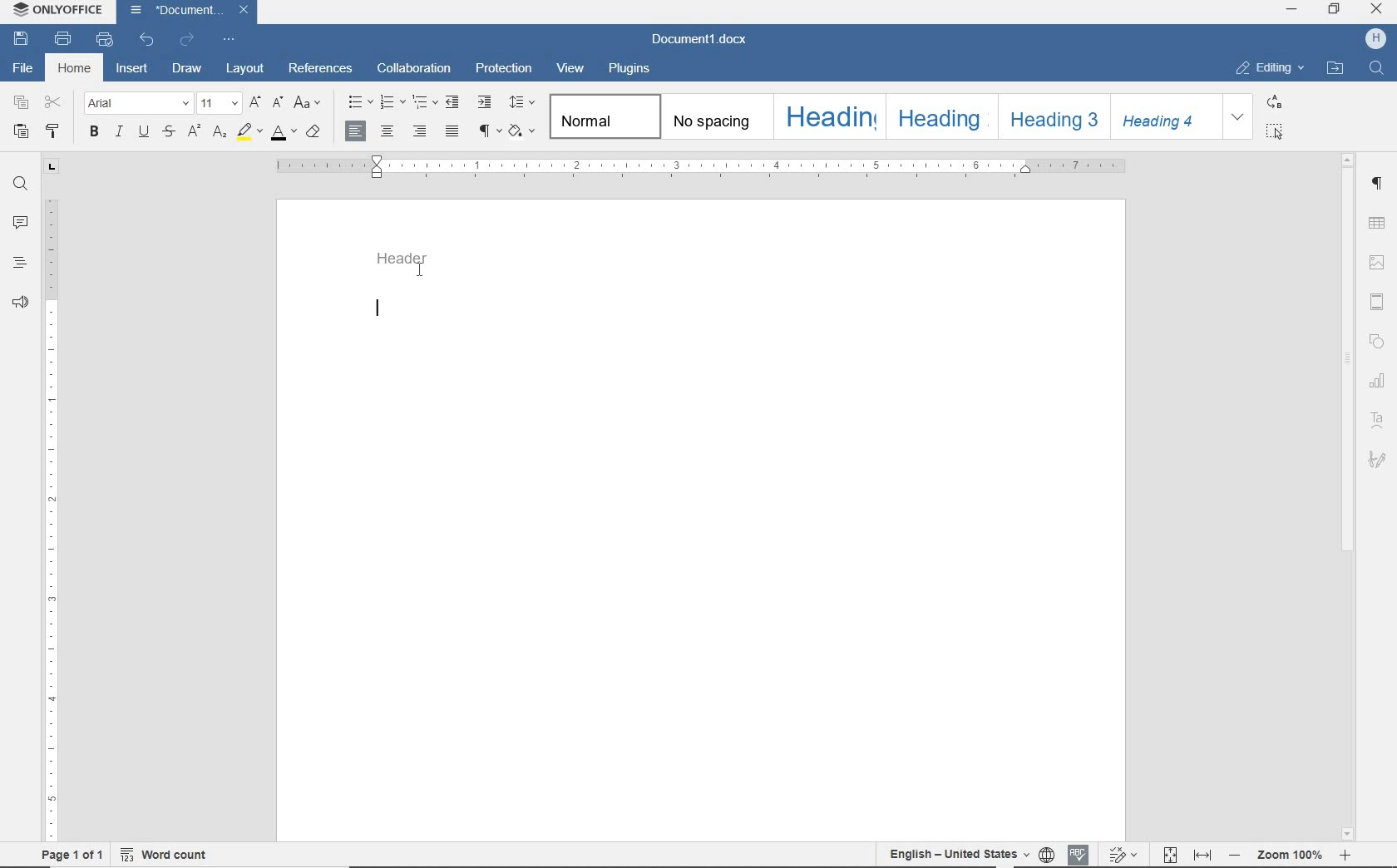  What do you see at coordinates (230, 39) in the screenshot?
I see `customize quick access bar` at bounding box center [230, 39].